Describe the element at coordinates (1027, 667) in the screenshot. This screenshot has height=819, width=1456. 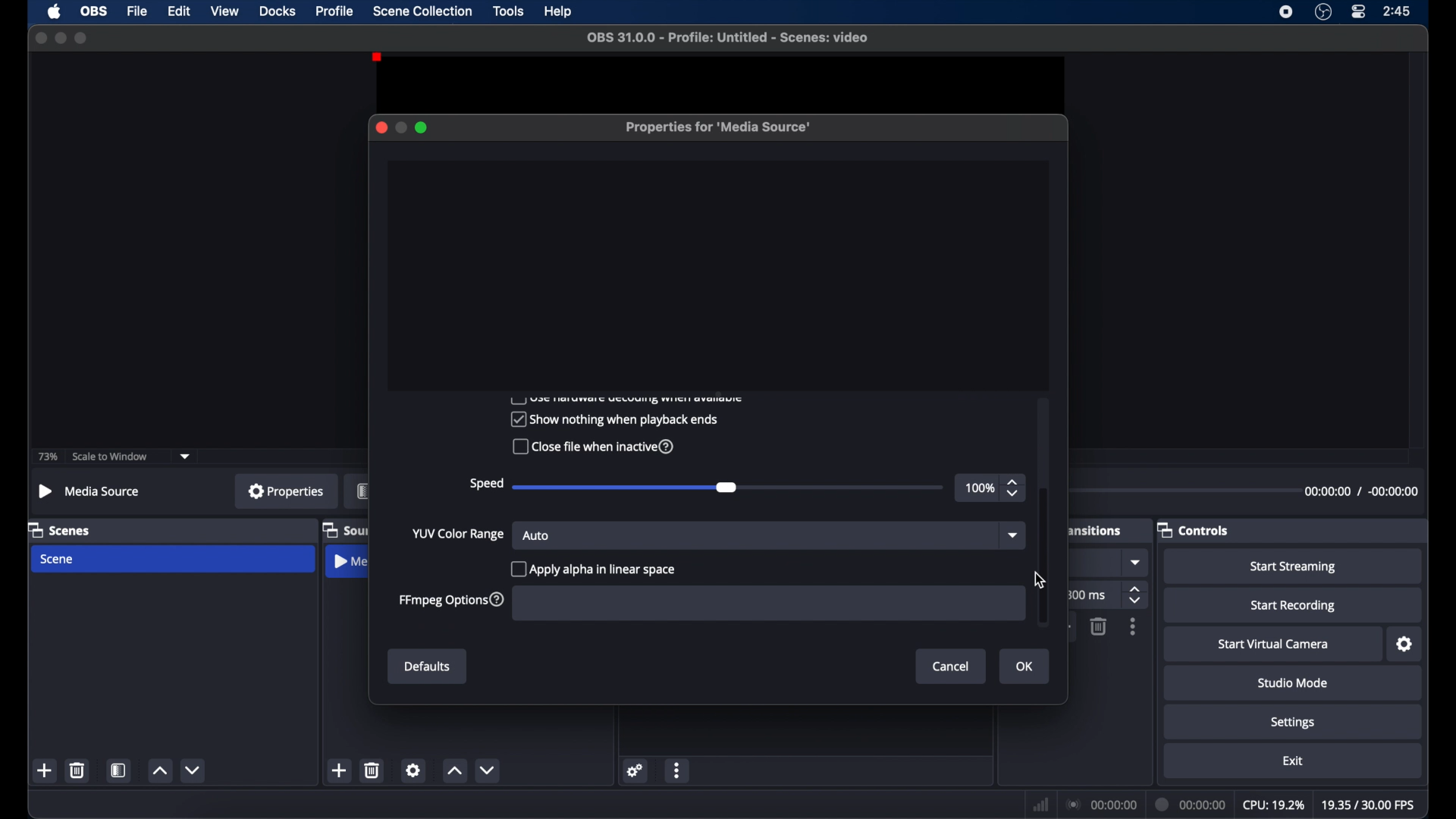
I see `ok` at that location.